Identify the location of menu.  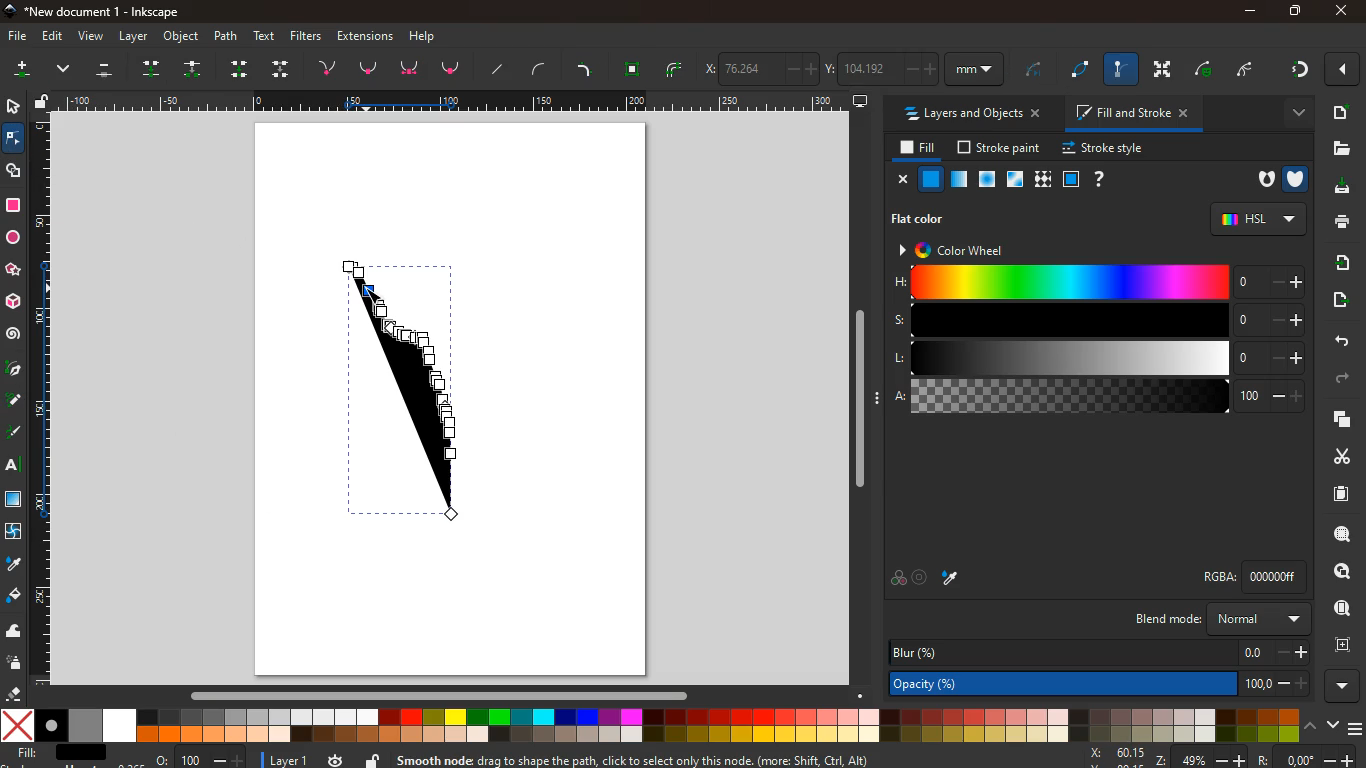
(1357, 726).